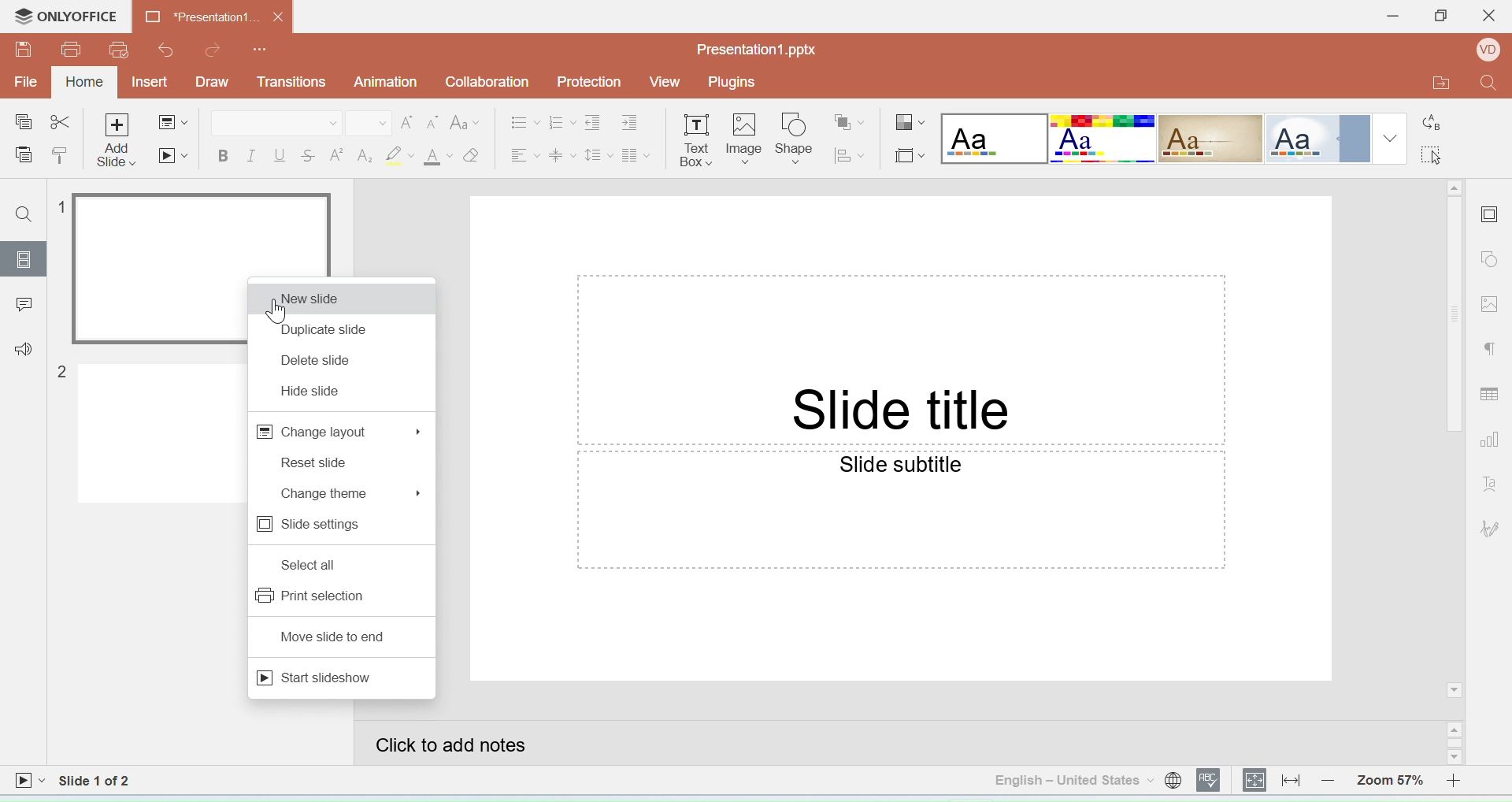  I want to click on slide settings, so click(308, 523).